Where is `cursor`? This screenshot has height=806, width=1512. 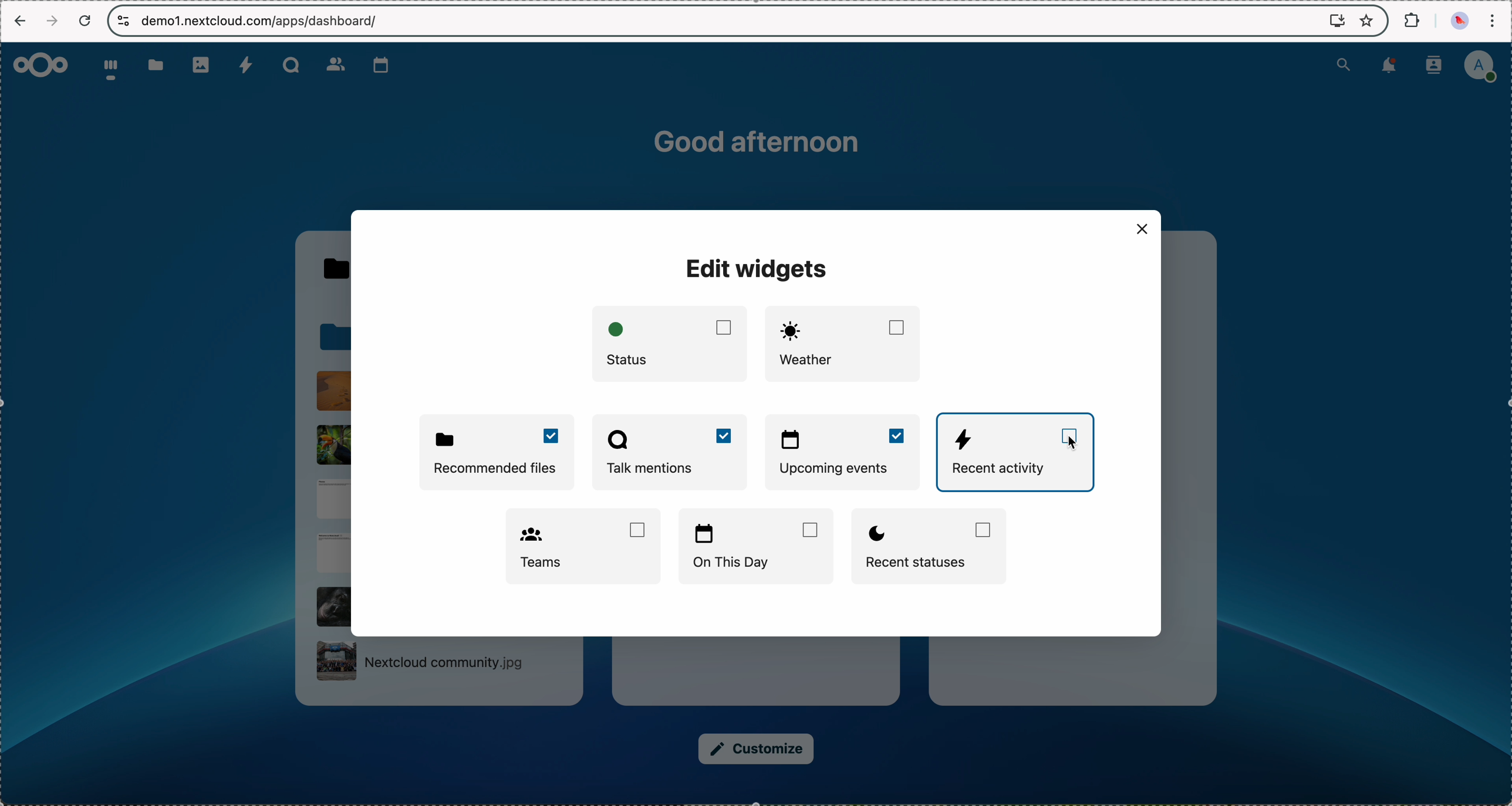
cursor is located at coordinates (1074, 445).